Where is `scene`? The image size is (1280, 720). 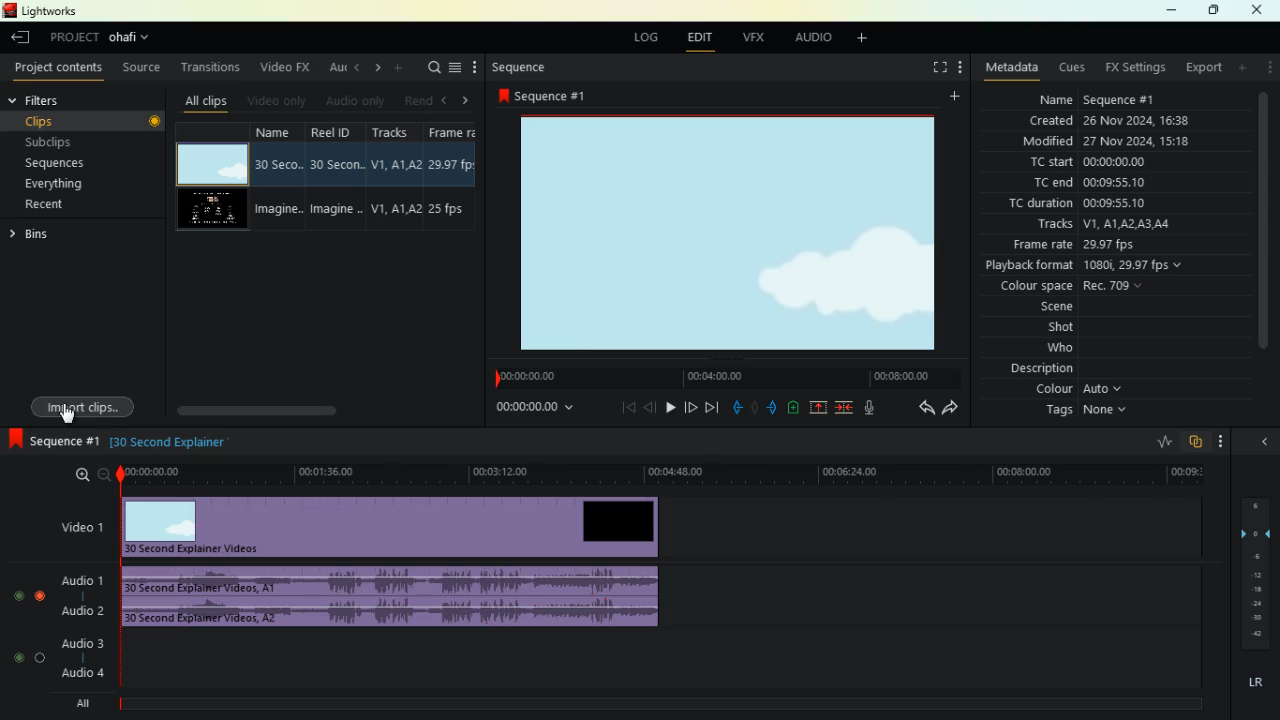
scene is located at coordinates (1035, 309).